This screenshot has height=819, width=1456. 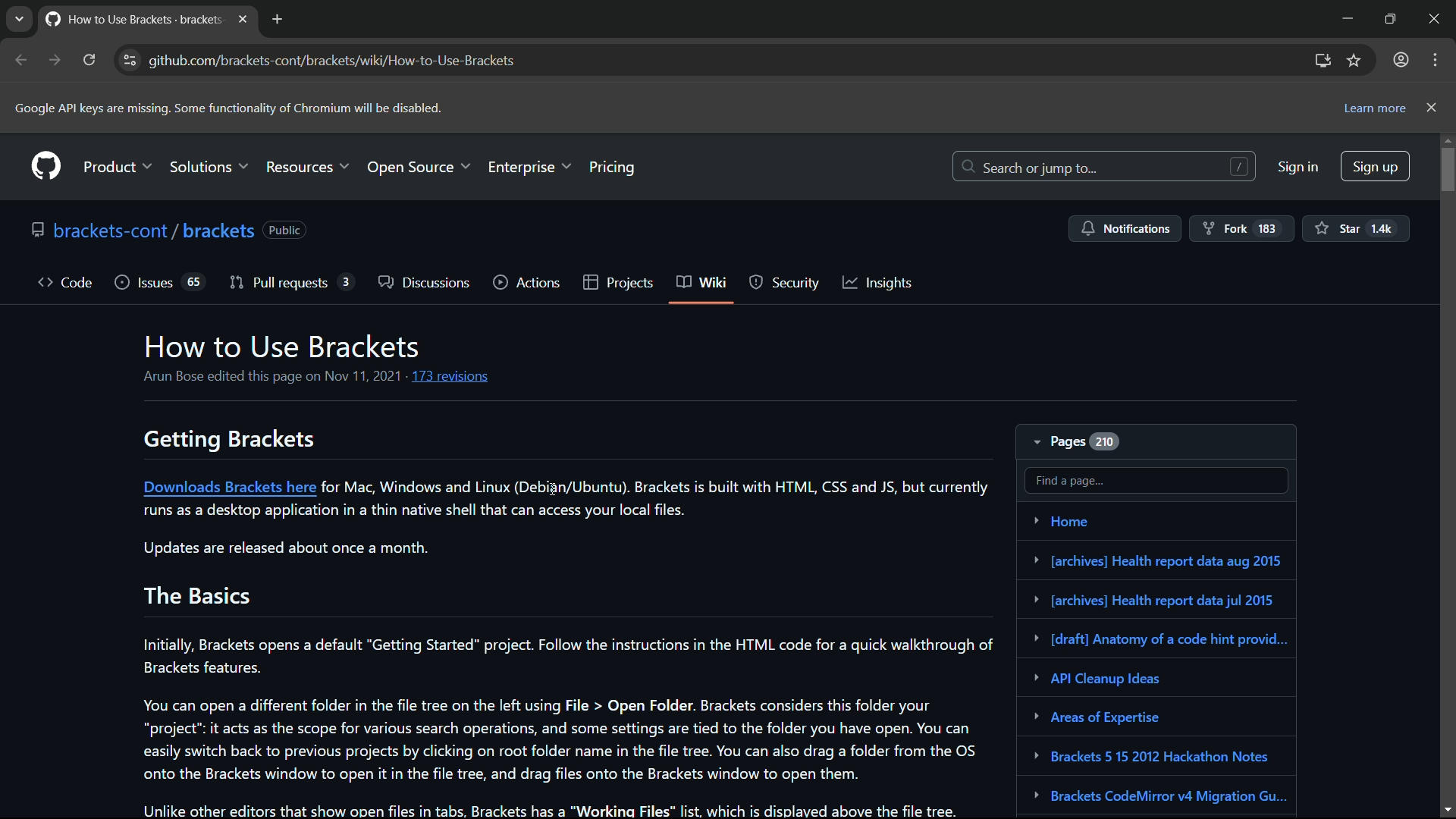 What do you see at coordinates (1432, 107) in the screenshot?
I see `close` at bounding box center [1432, 107].